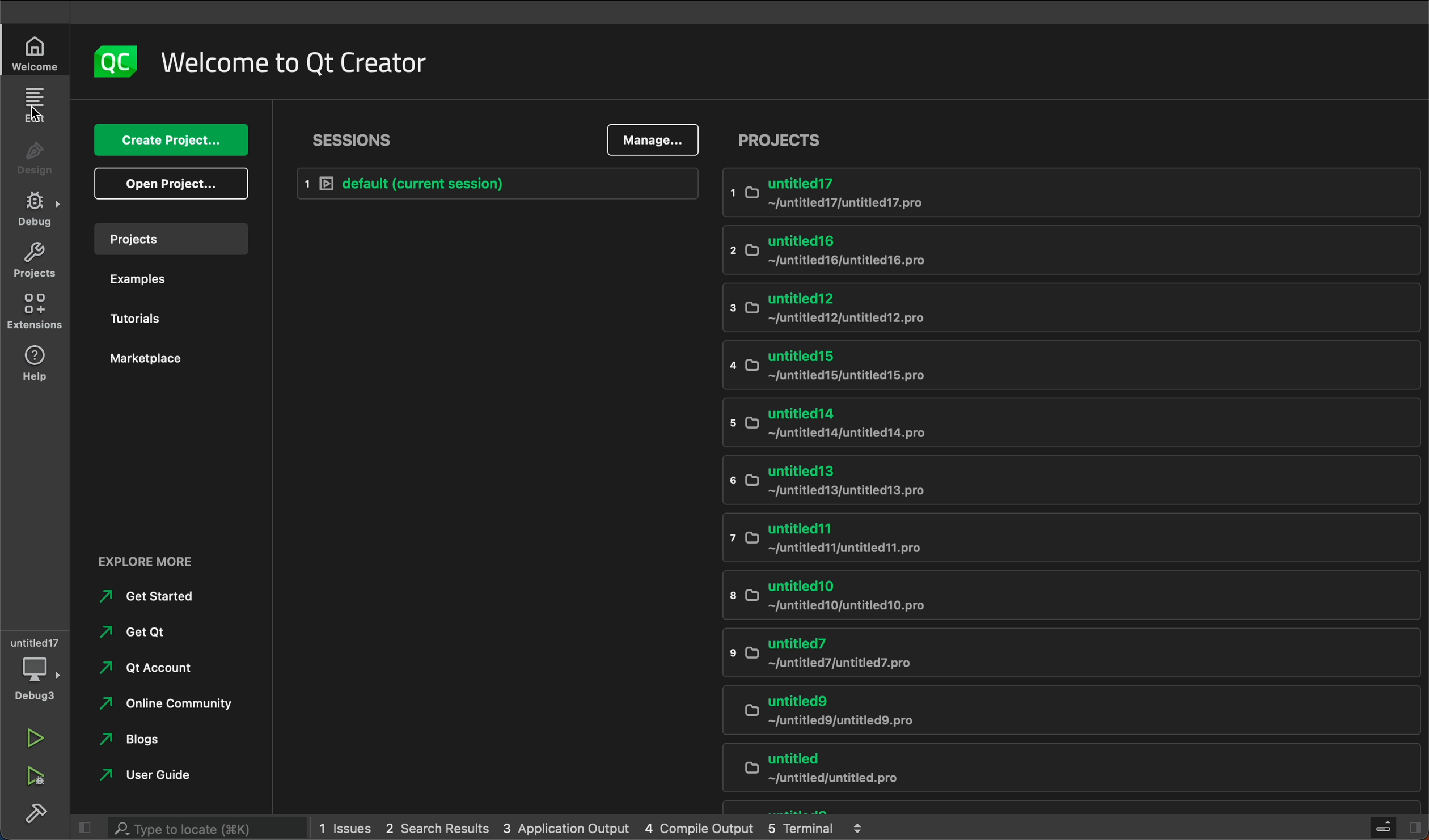 The height and width of the screenshot is (840, 1429). Describe the element at coordinates (144, 560) in the screenshot. I see `Explore More` at that location.